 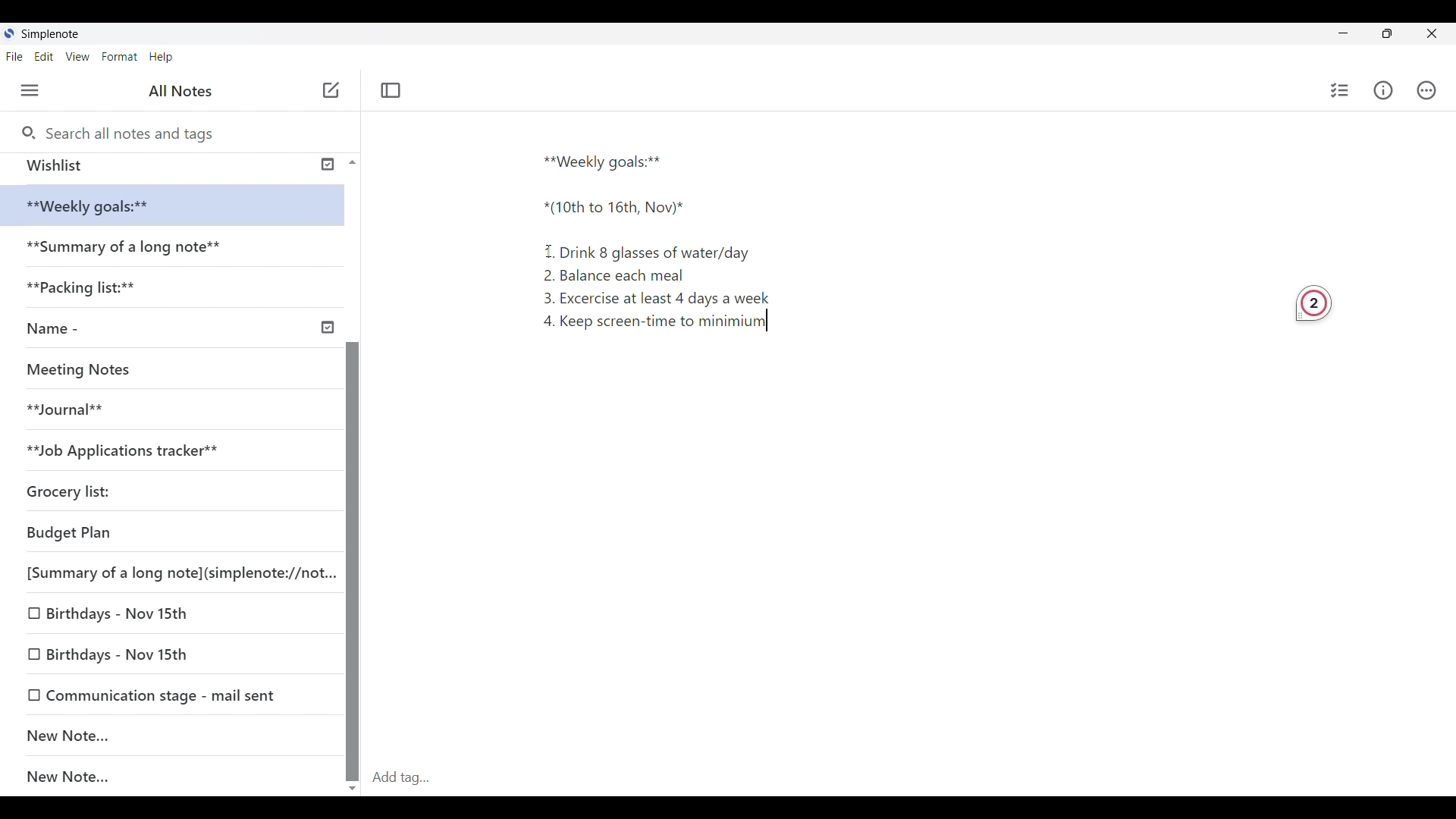 I want to click on Name, so click(x=177, y=329).